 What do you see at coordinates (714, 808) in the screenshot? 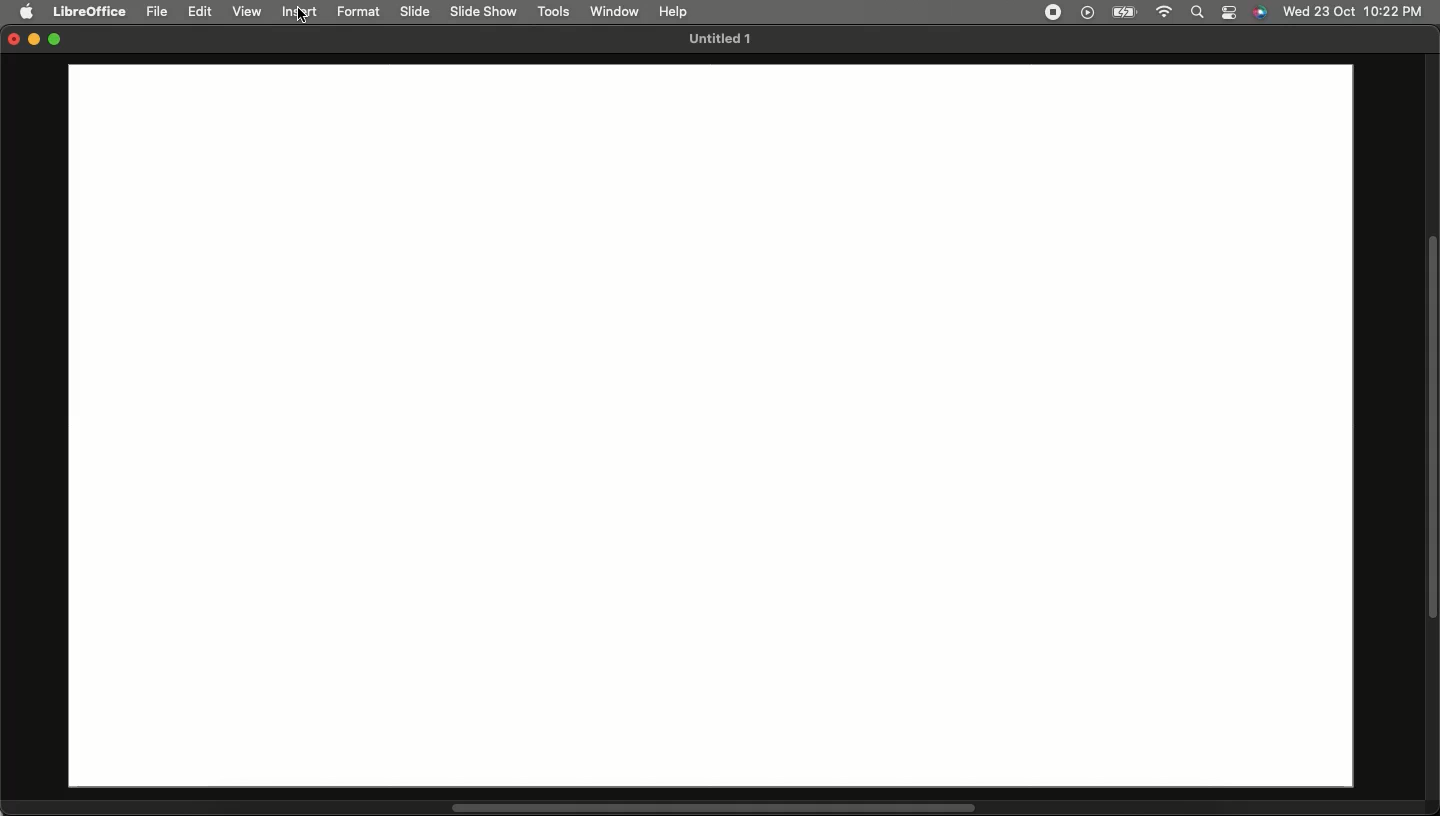
I see `Scroll` at bounding box center [714, 808].